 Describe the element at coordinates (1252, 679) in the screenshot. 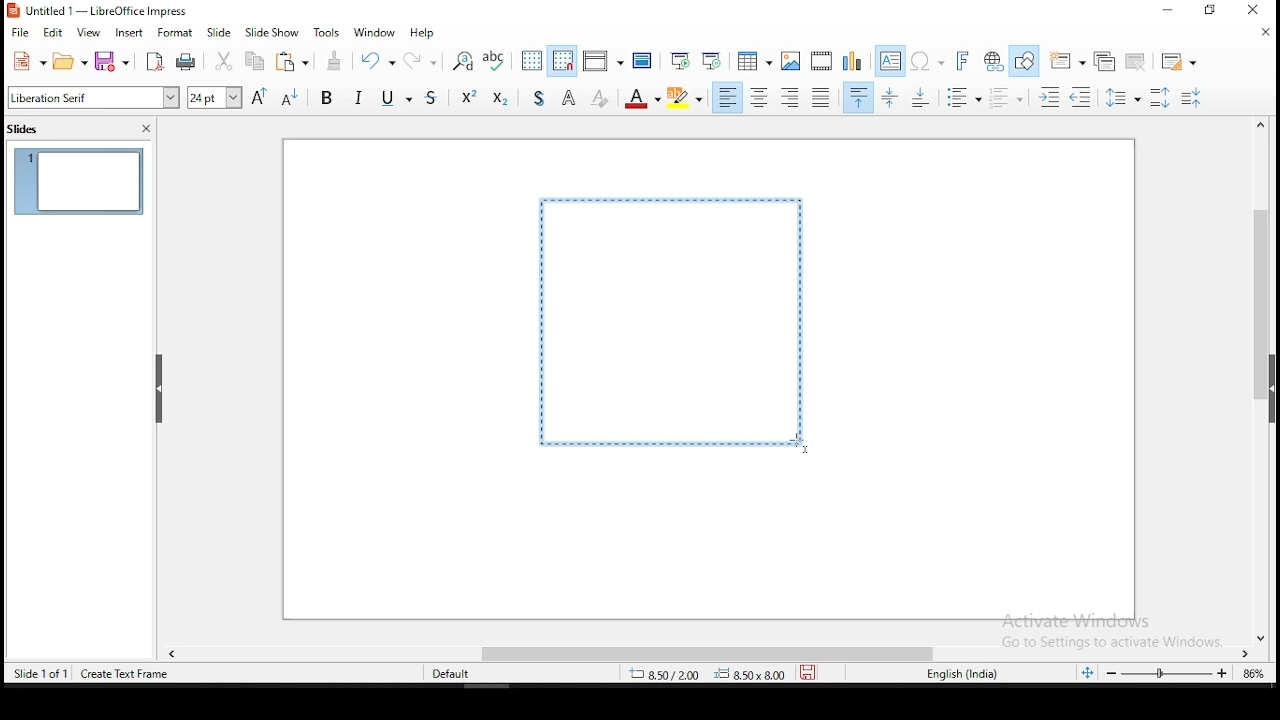

I see `zoom level` at that location.